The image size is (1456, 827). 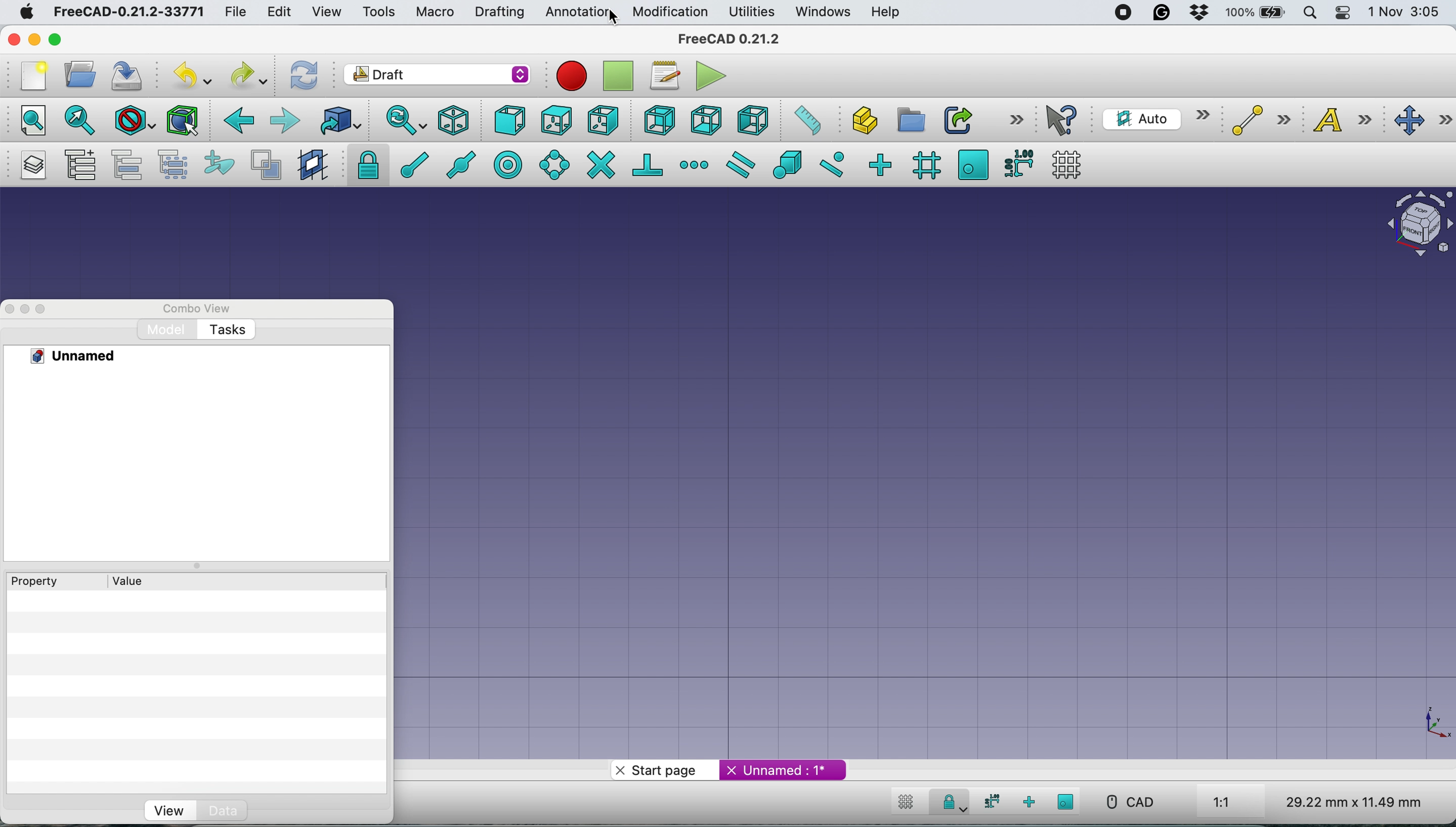 What do you see at coordinates (236, 13) in the screenshot?
I see `file` at bounding box center [236, 13].